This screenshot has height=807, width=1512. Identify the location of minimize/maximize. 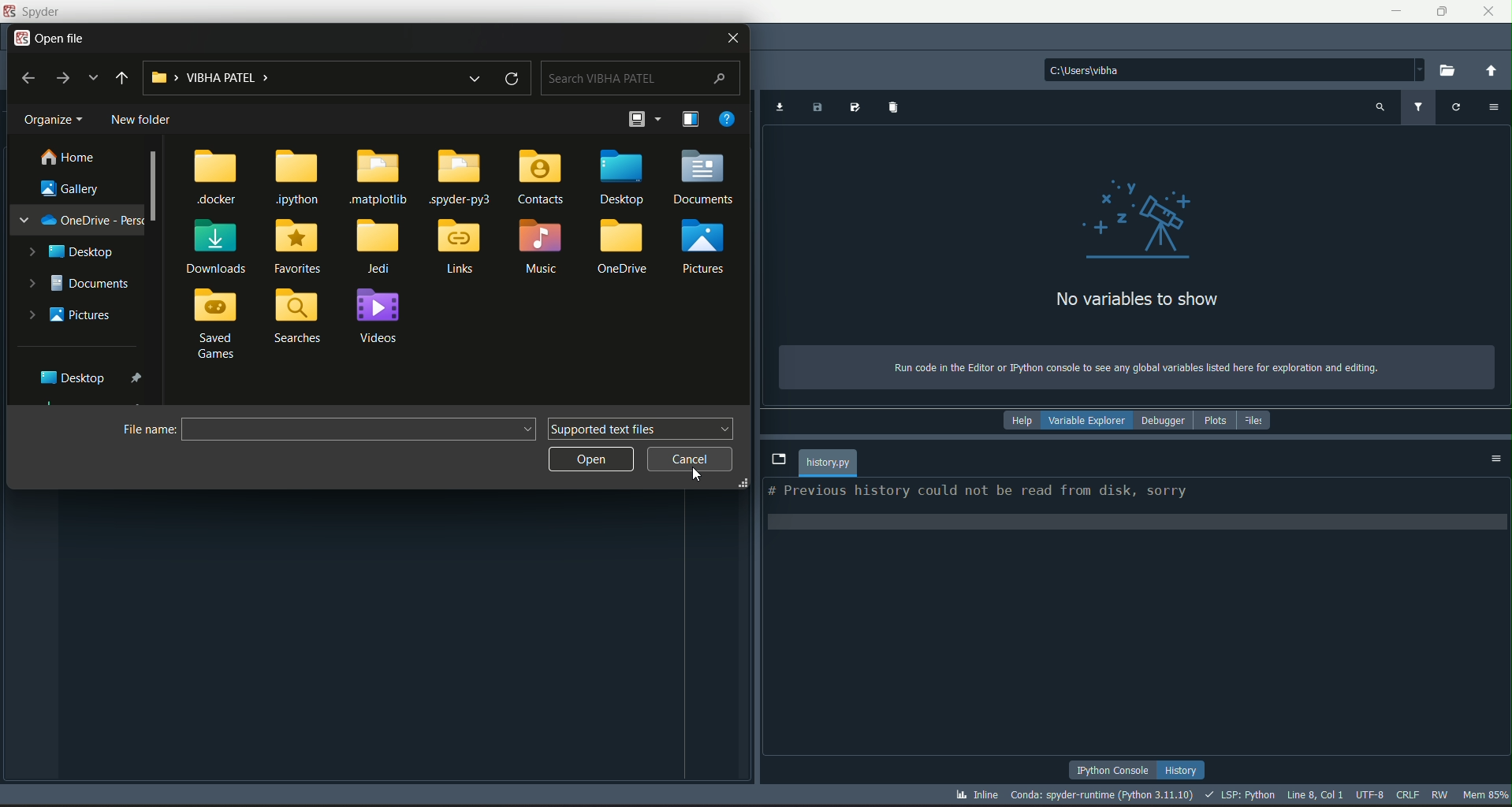
(1439, 12).